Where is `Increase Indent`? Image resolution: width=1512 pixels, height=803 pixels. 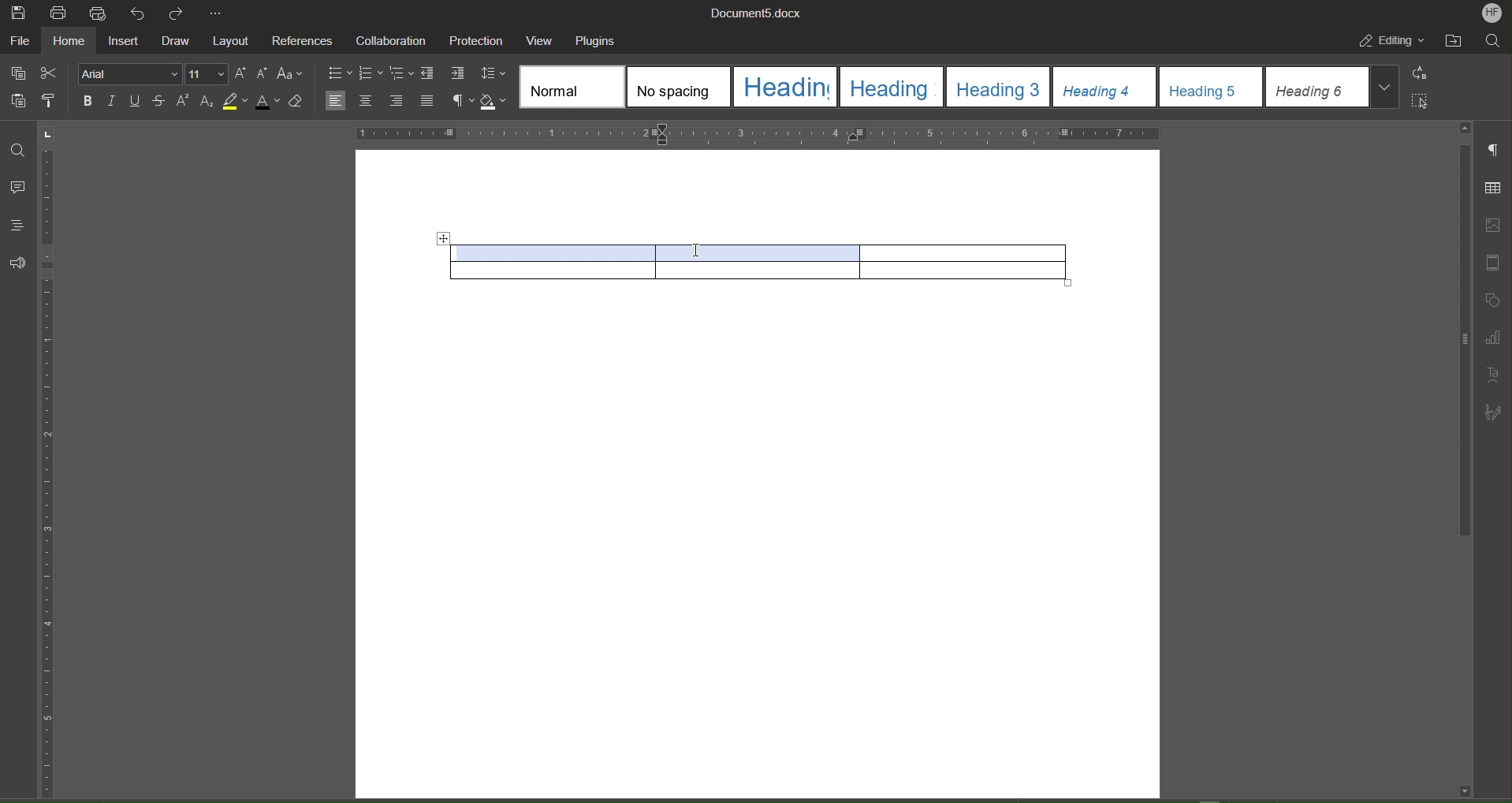 Increase Indent is located at coordinates (459, 74).